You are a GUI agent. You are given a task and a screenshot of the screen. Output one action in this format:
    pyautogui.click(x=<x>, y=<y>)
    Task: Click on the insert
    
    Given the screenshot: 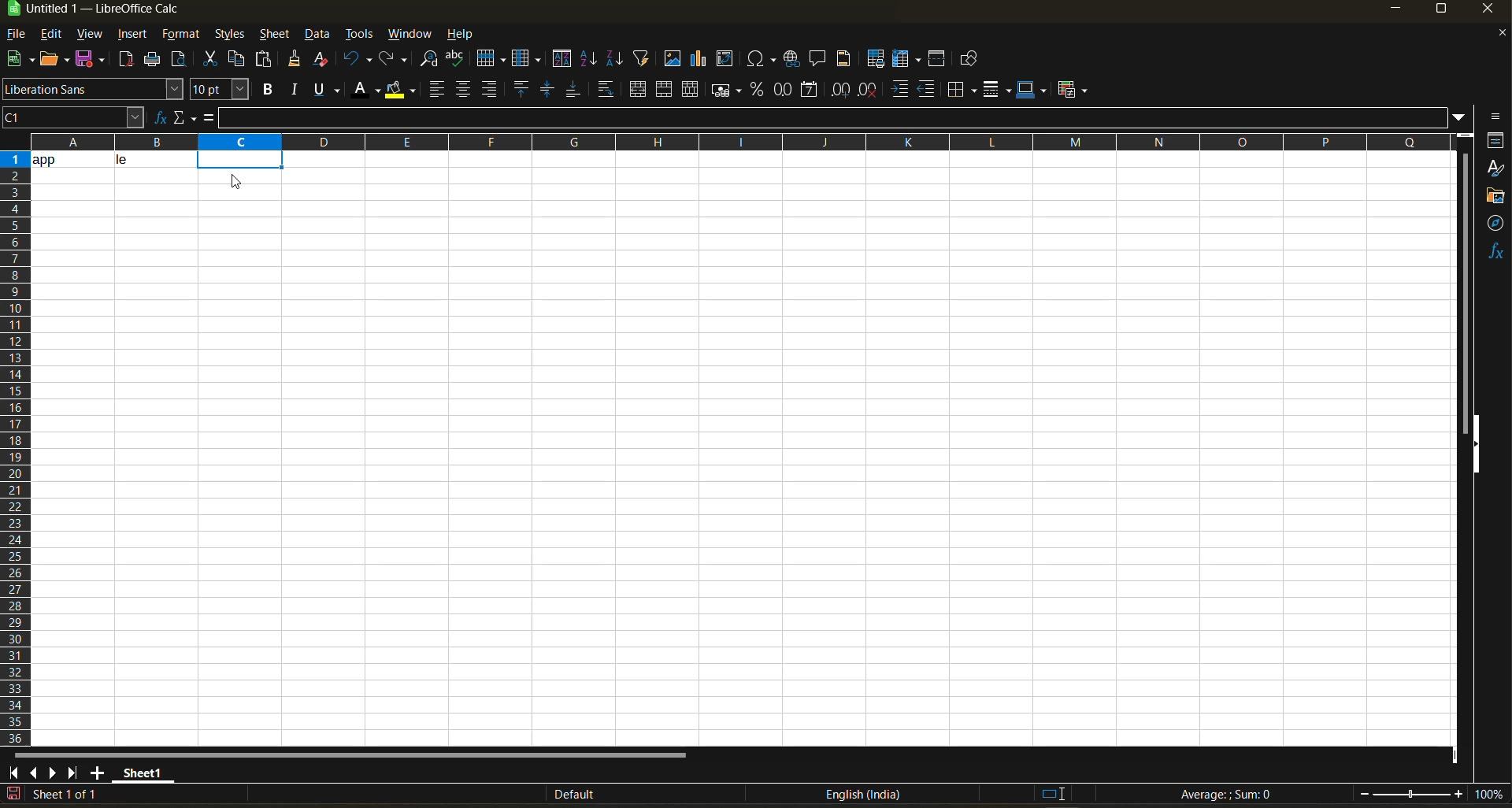 What is the action you would take?
    pyautogui.click(x=132, y=35)
    